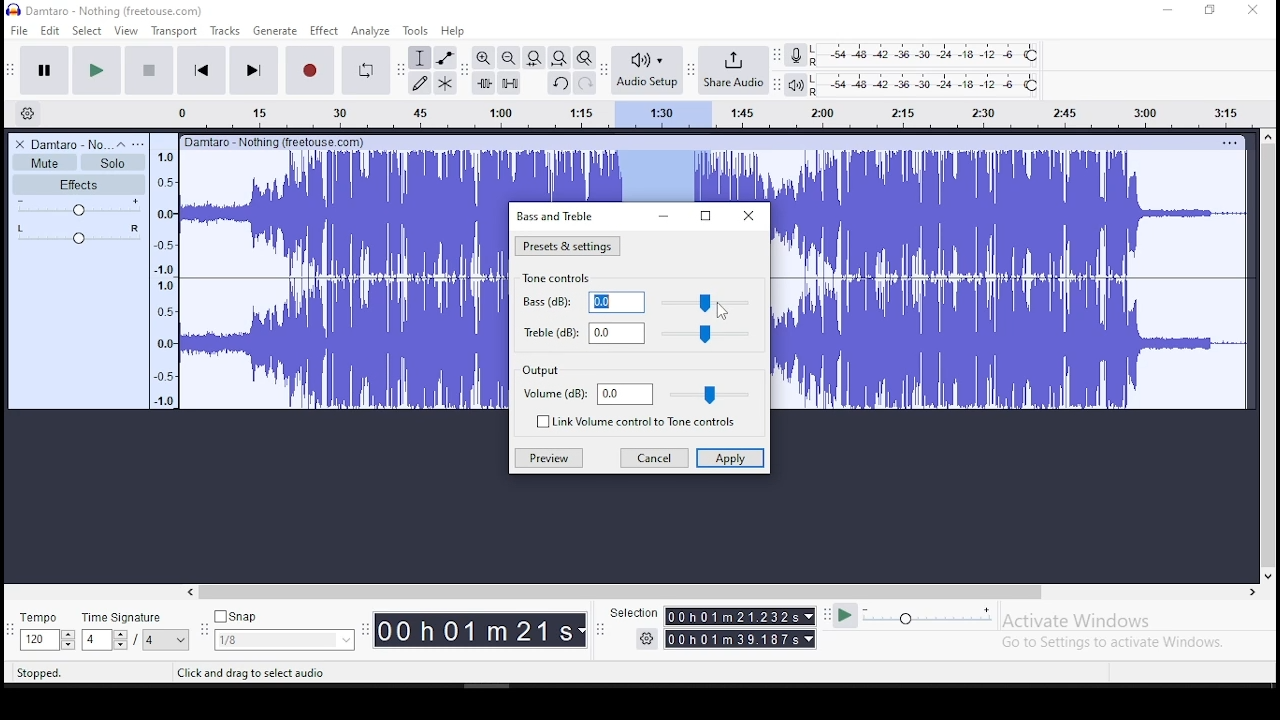  I want to click on tempo, so click(44, 619).